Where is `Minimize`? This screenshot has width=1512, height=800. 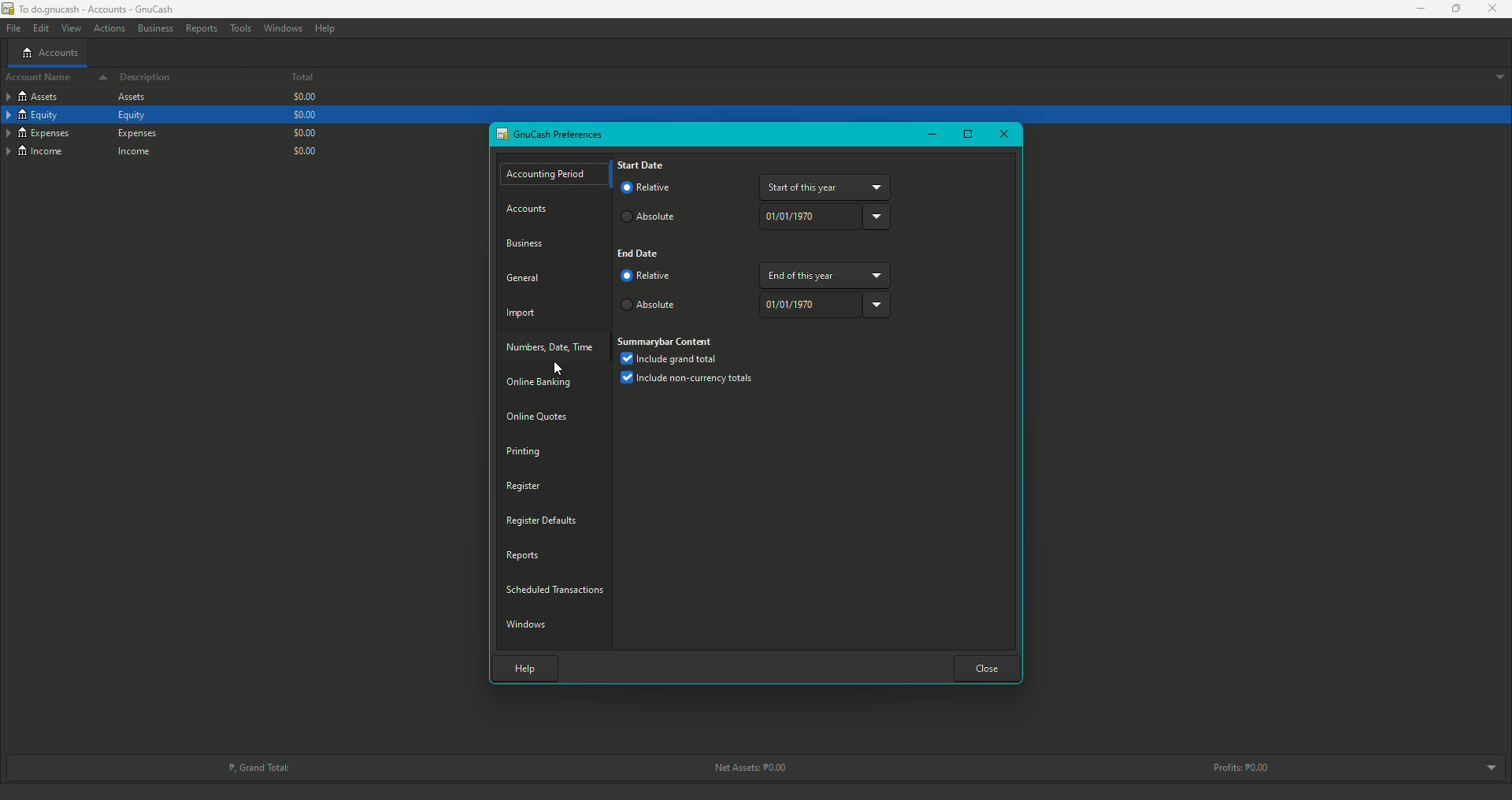 Minimize is located at coordinates (1415, 9).